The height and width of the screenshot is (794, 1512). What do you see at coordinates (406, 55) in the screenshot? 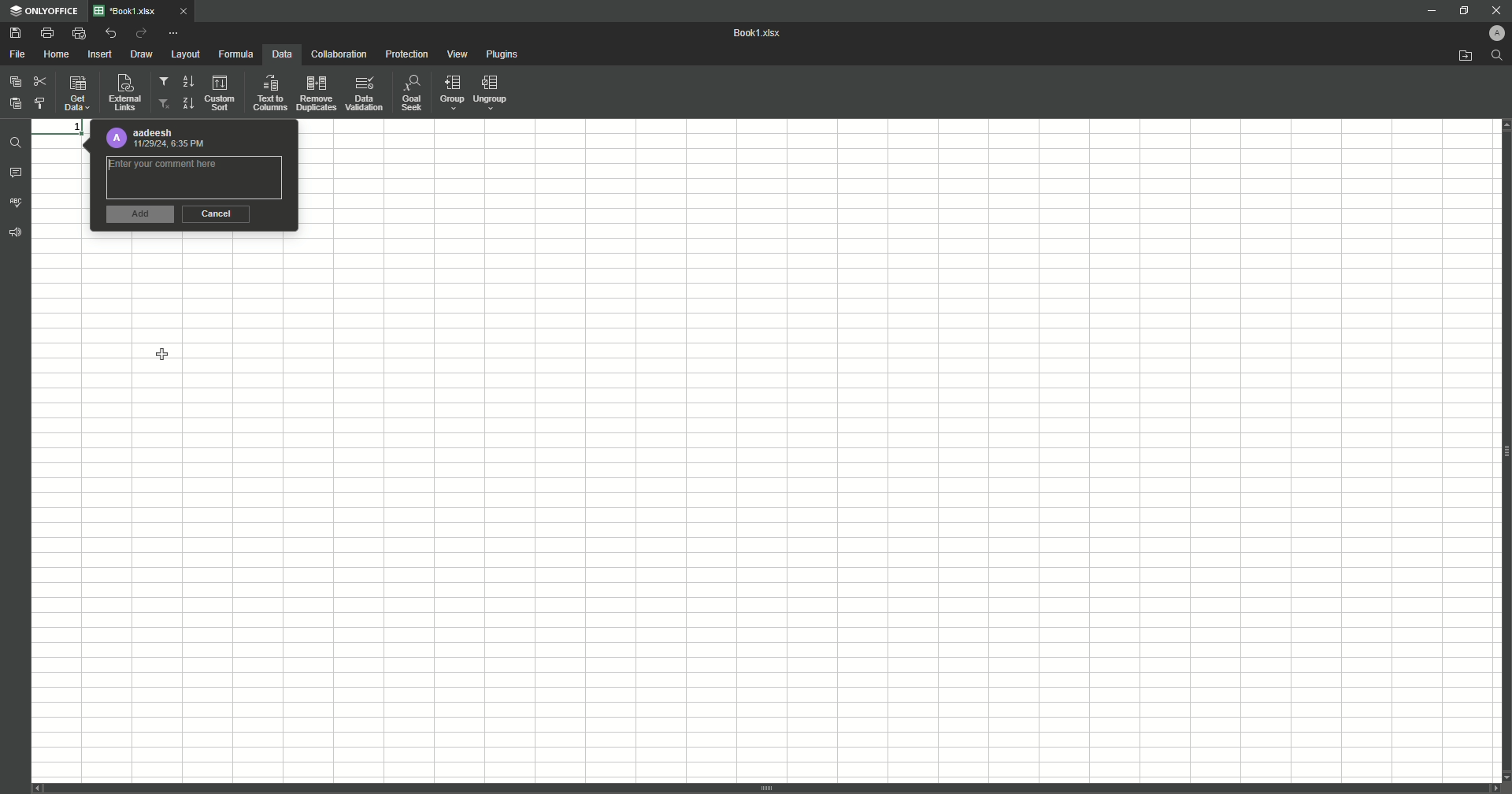
I see `Protection` at bounding box center [406, 55].